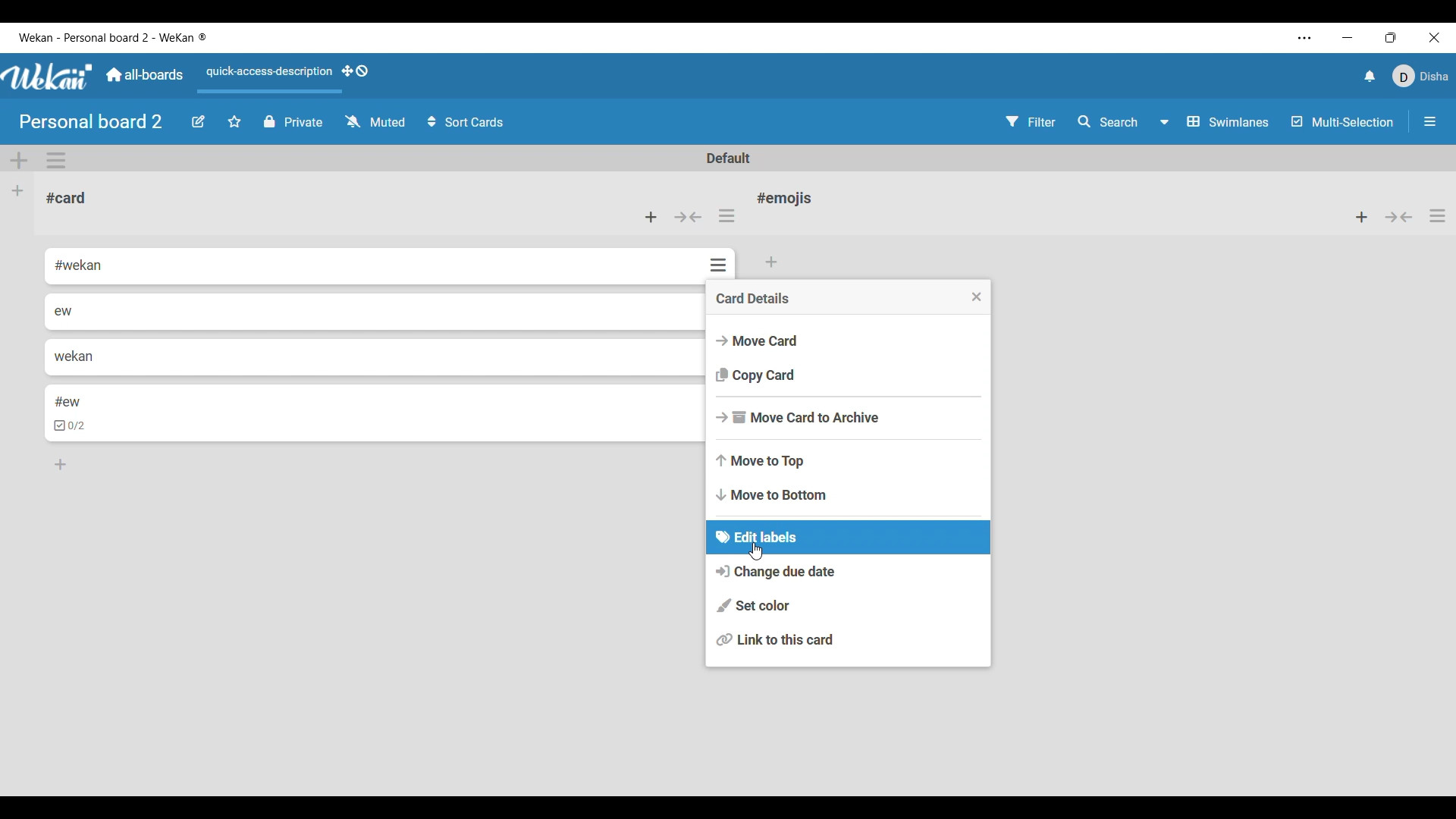 The image size is (1456, 819). Describe the element at coordinates (80, 266) in the screenshot. I see `#wekan` at that location.